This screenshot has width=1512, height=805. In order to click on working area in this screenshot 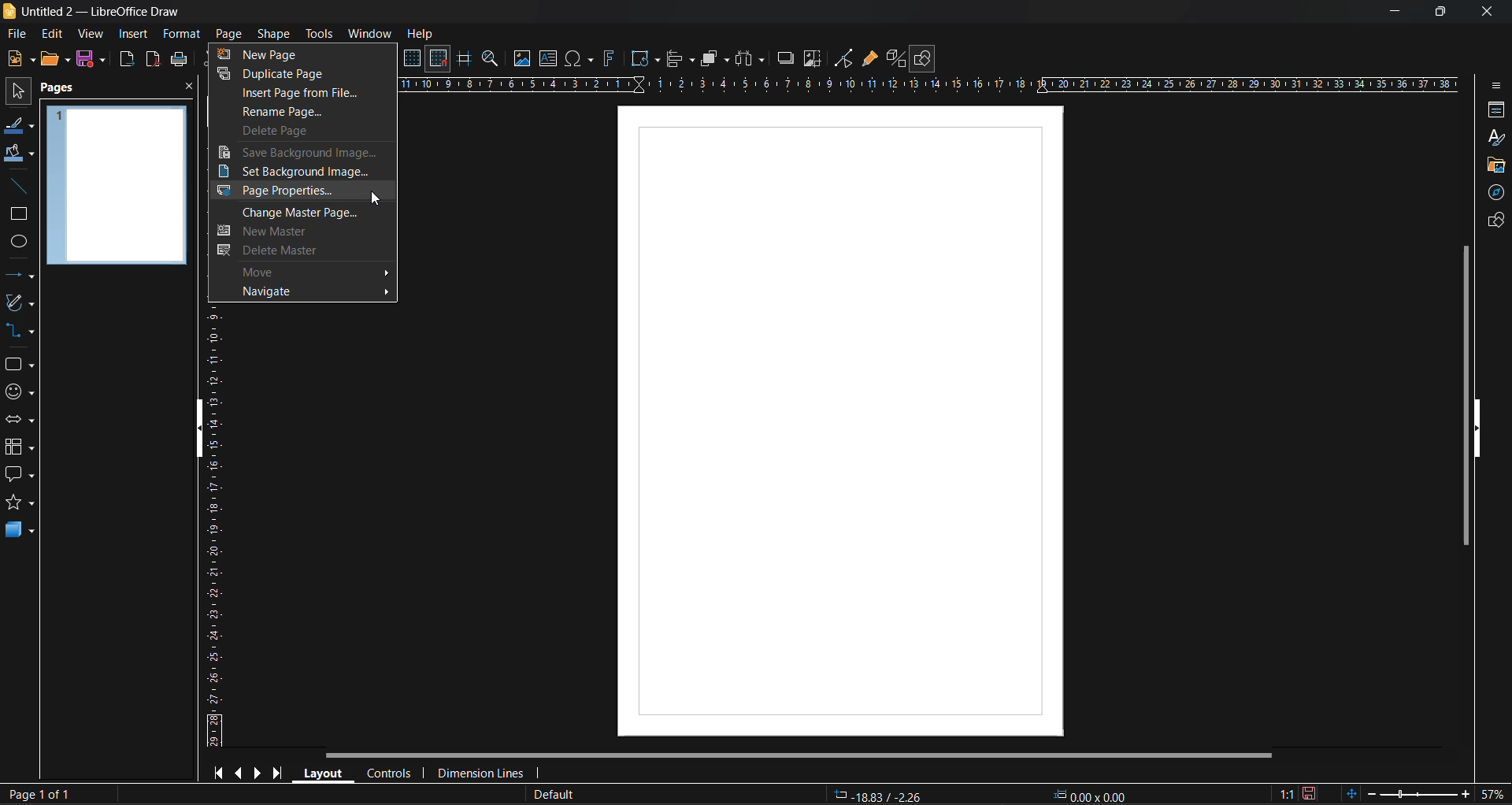, I will do `click(842, 421)`.